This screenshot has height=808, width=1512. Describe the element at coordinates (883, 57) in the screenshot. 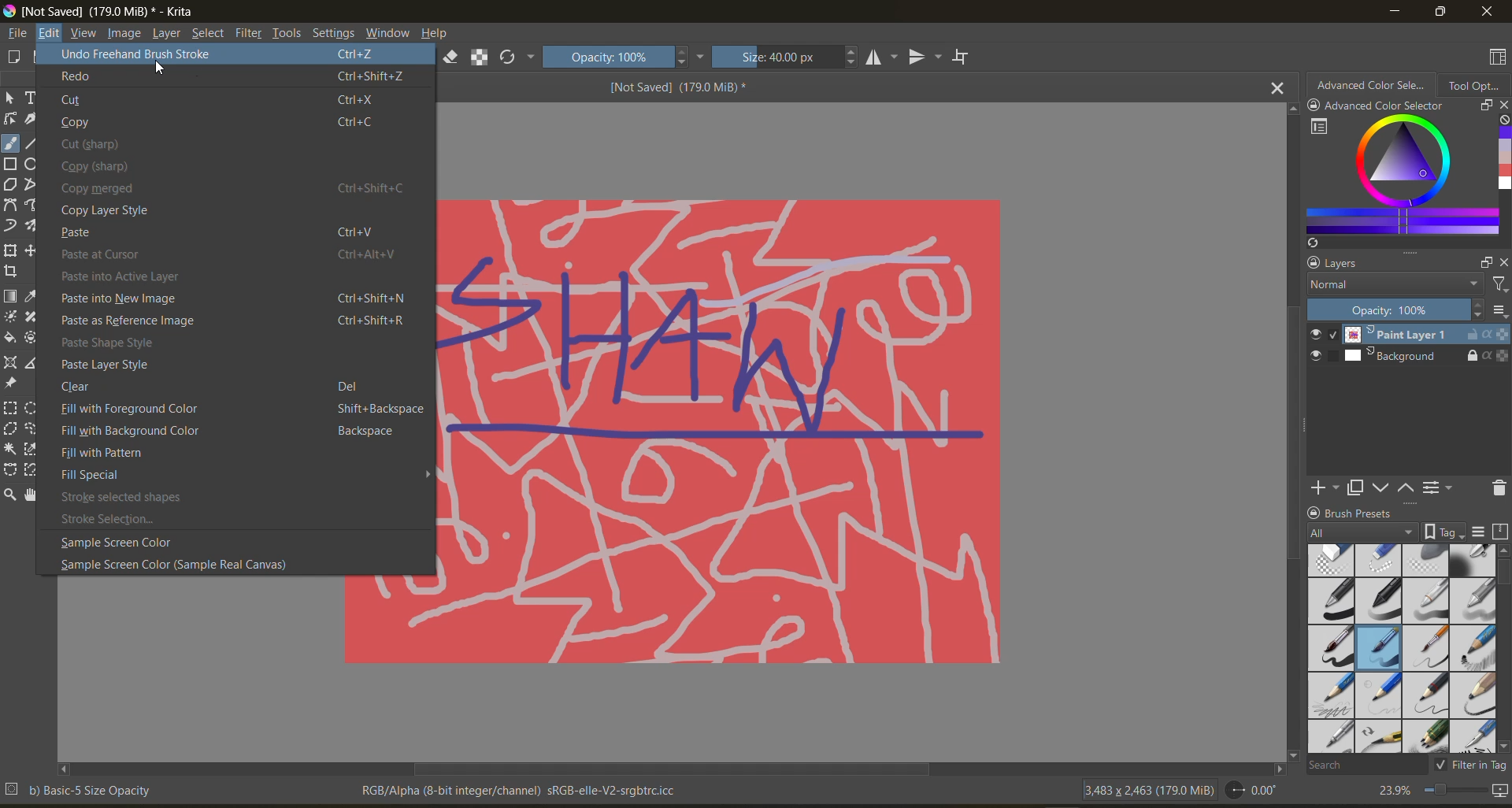

I see `flip horizontally` at that location.